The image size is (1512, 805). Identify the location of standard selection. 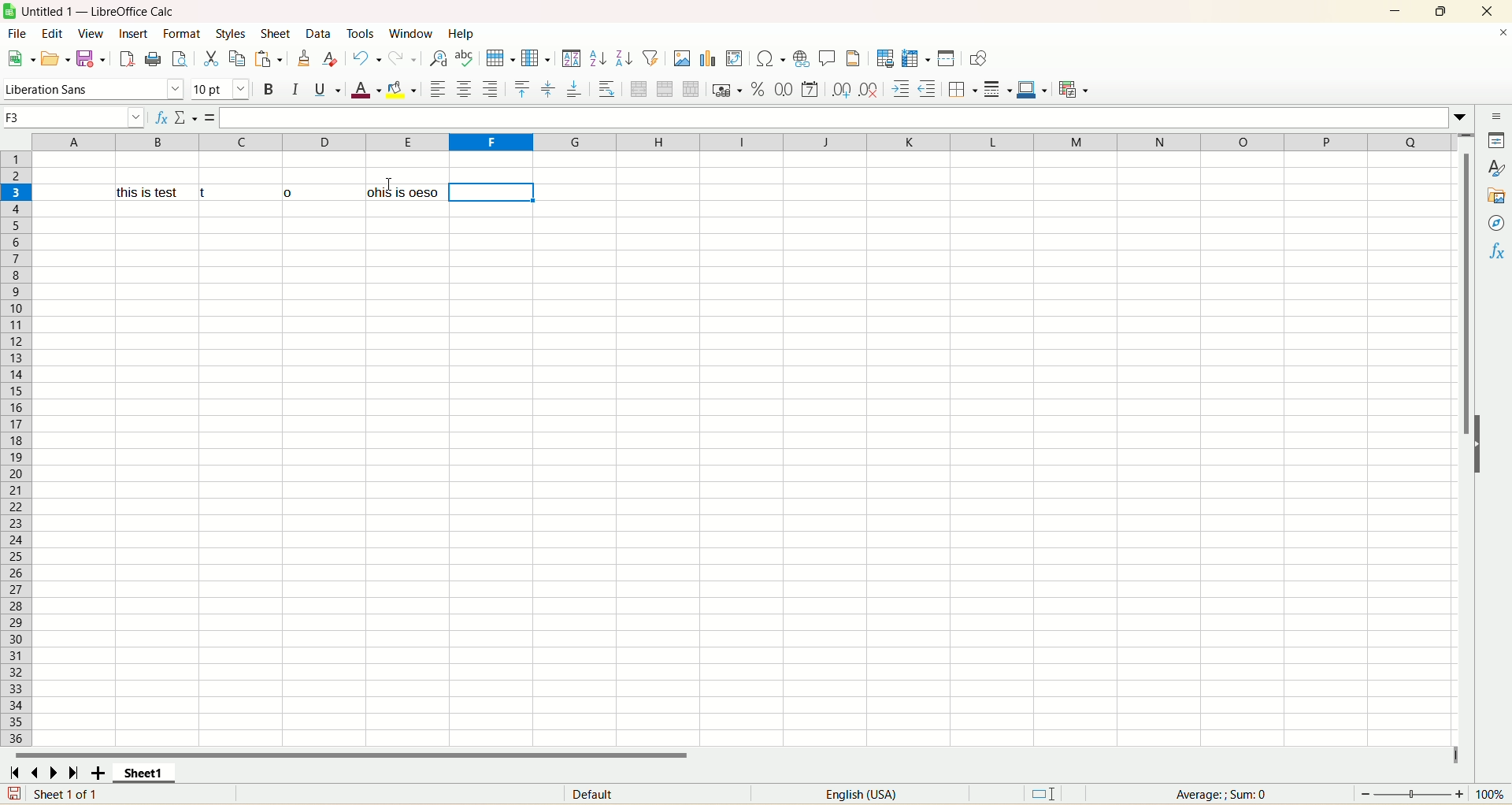
(1056, 792).